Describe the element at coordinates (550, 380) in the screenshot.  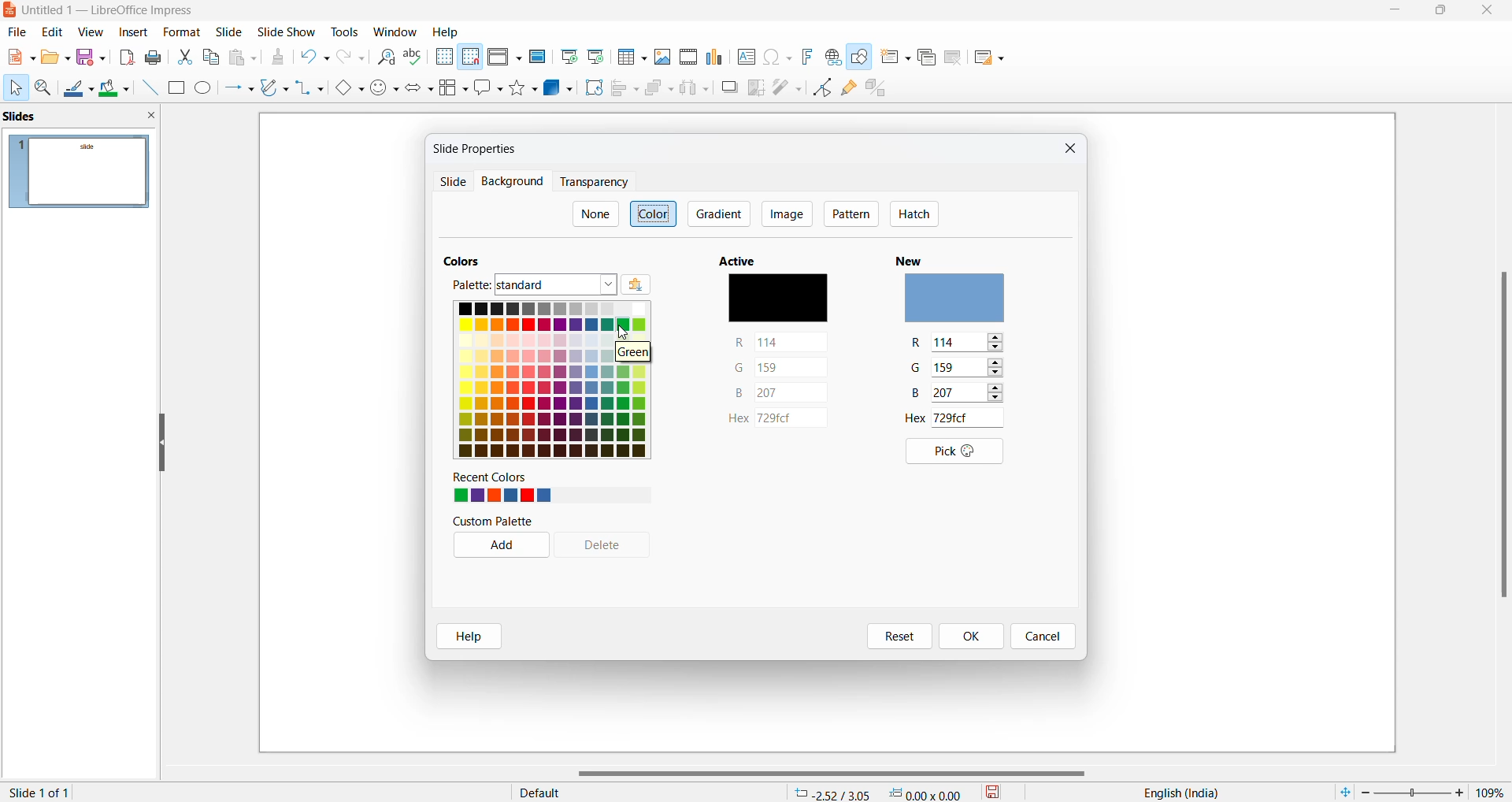
I see `color palette` at that location.